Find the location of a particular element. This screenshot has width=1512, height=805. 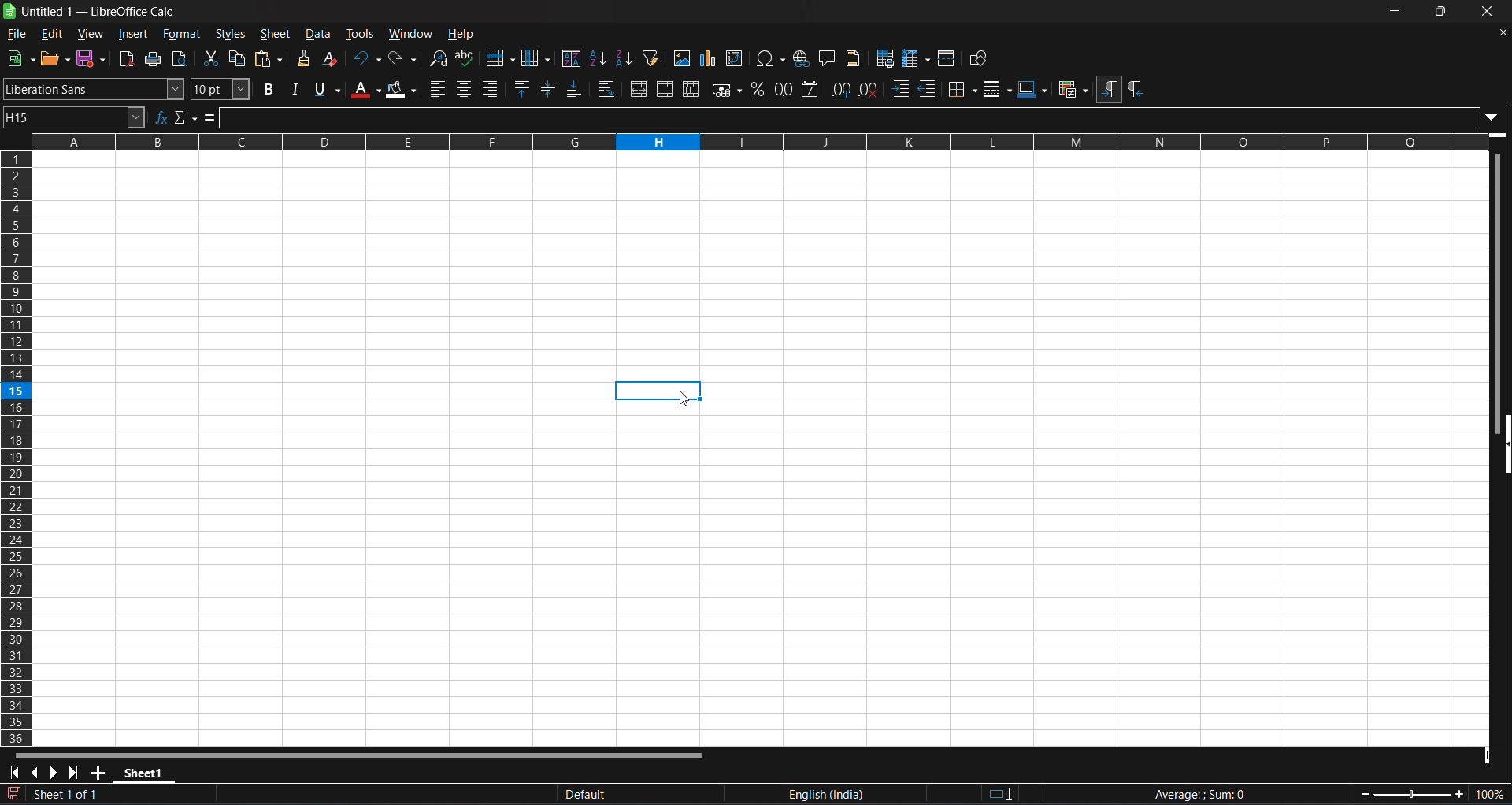

align left is located at coordinates (438, 90).